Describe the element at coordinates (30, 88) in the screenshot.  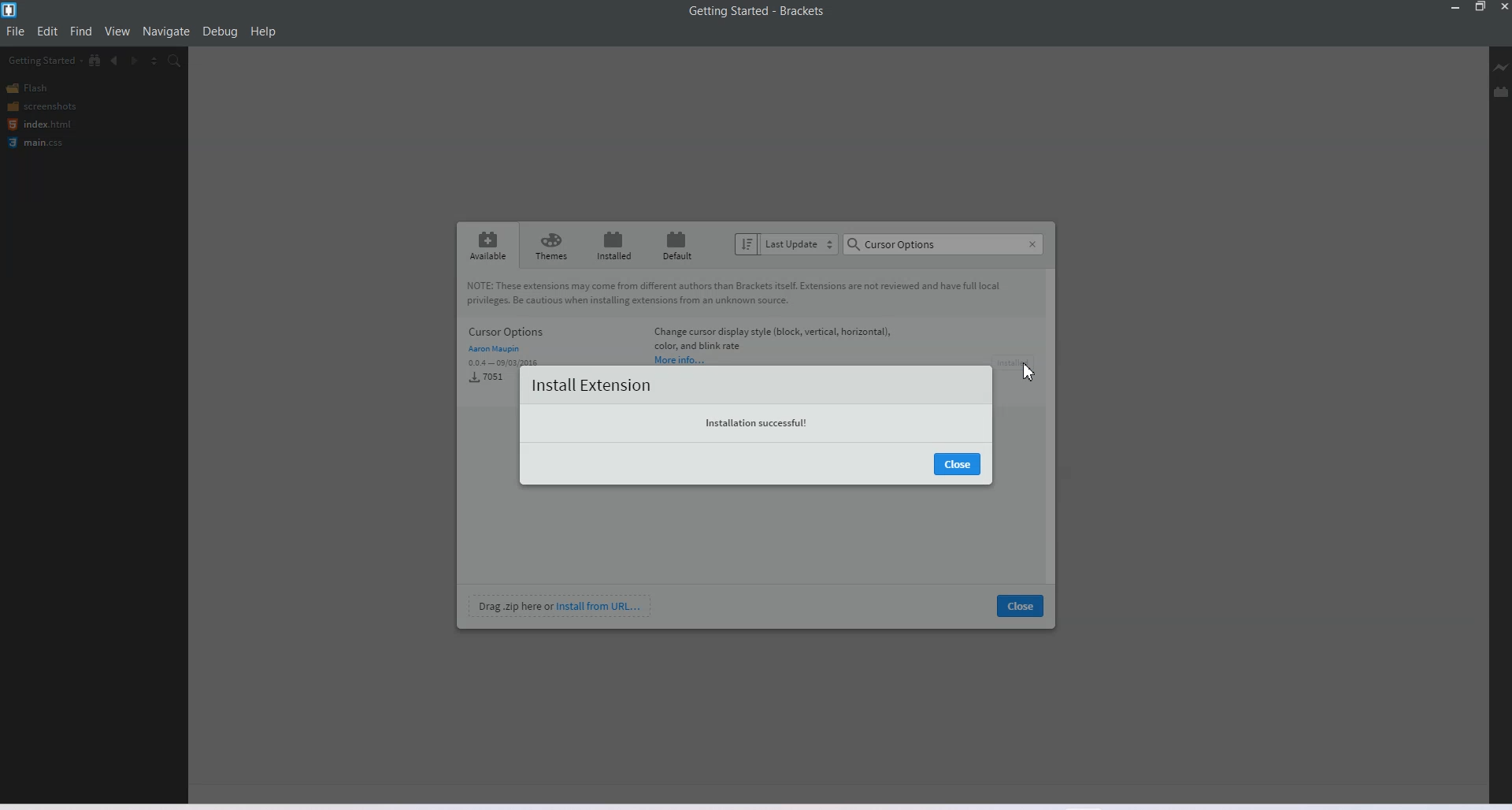
I see `Flash` at that location.